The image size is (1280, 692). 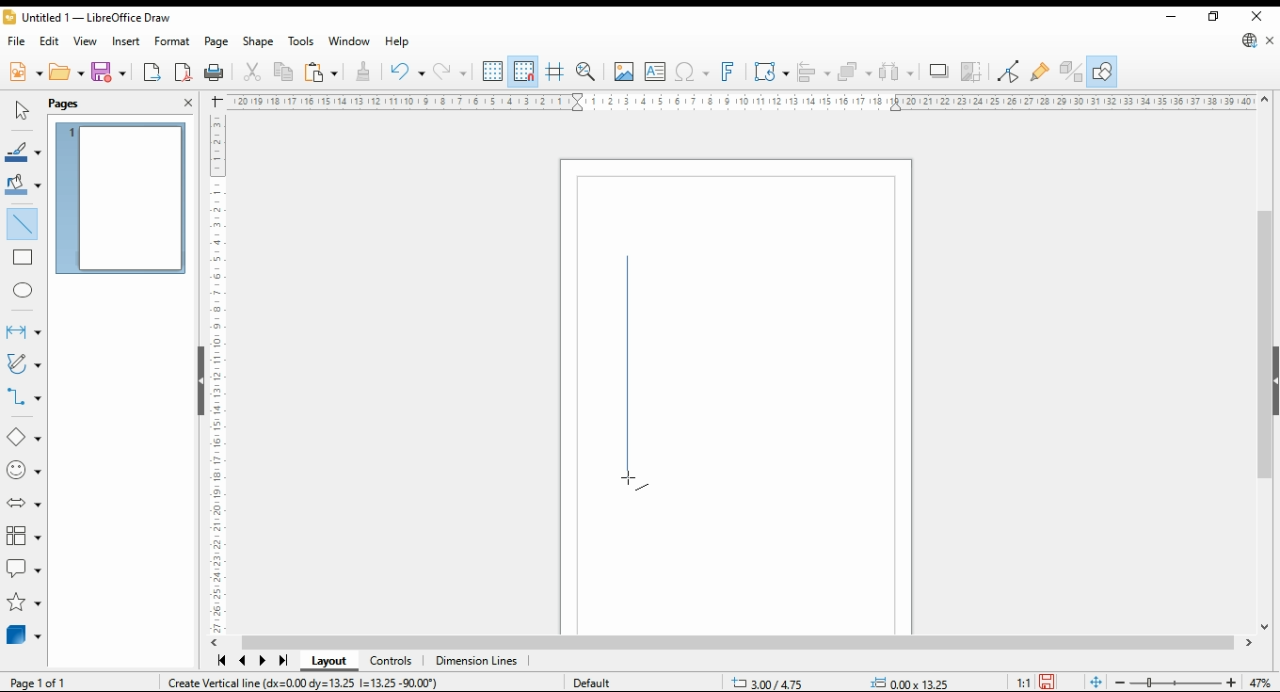 I want to click on block arrows, so click(x=24, y=503).